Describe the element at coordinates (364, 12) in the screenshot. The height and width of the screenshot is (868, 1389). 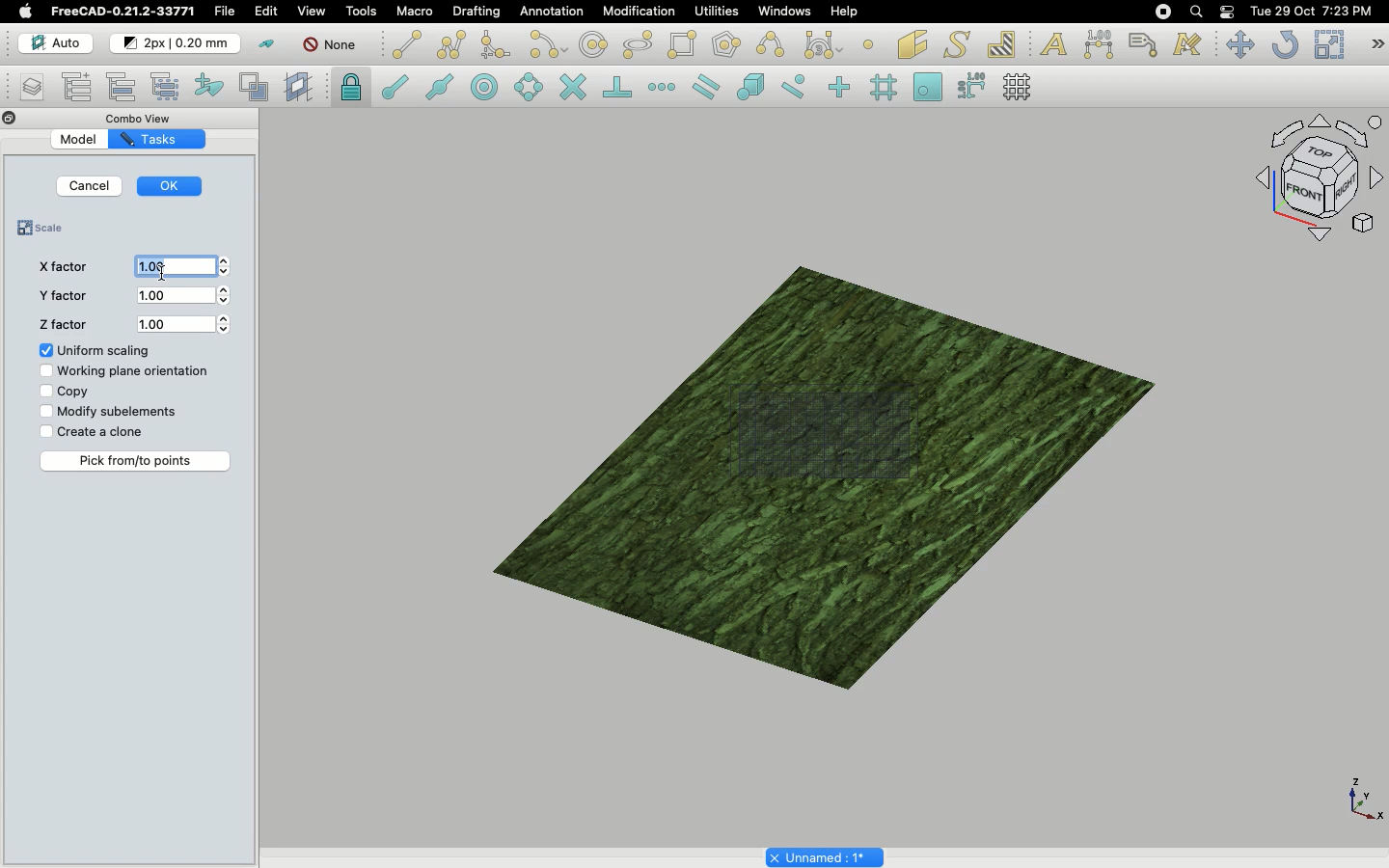
I see `Tools` at that location.